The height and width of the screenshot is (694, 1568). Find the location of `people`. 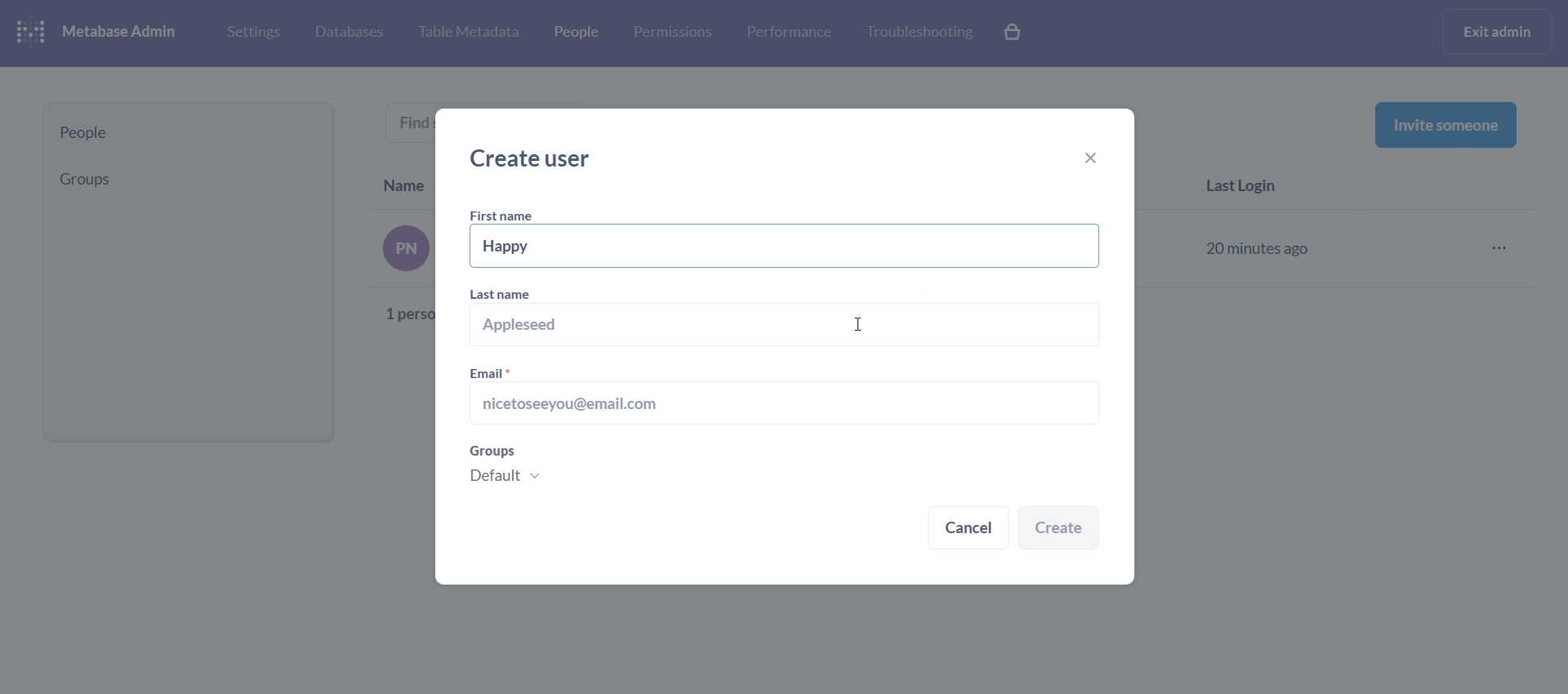

people is located at coordinates (189, 133).